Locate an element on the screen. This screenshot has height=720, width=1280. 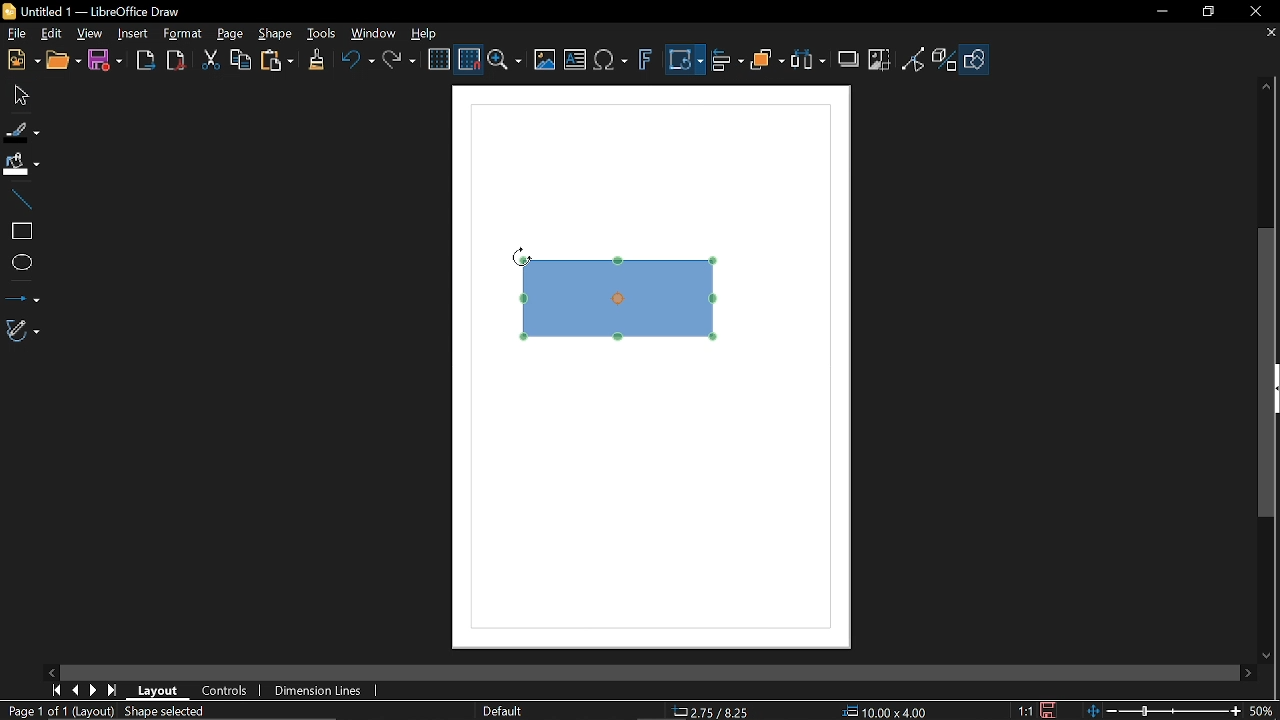
2.75/8.25 (Cursor Position) is located at coordinates (714, 712).